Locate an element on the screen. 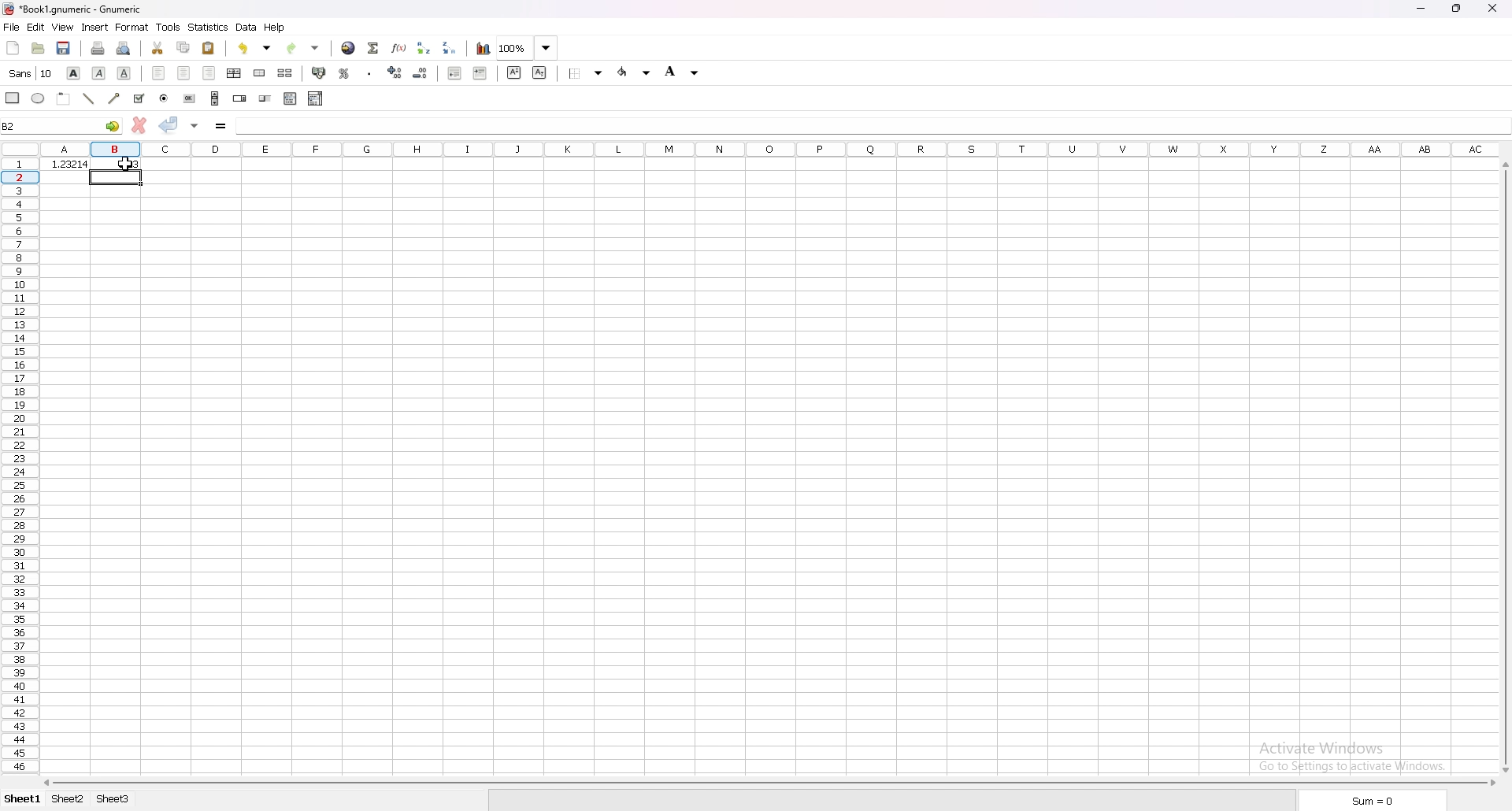 This screenshot has height=811, width=1512. line is located at coordinates (88, 98).